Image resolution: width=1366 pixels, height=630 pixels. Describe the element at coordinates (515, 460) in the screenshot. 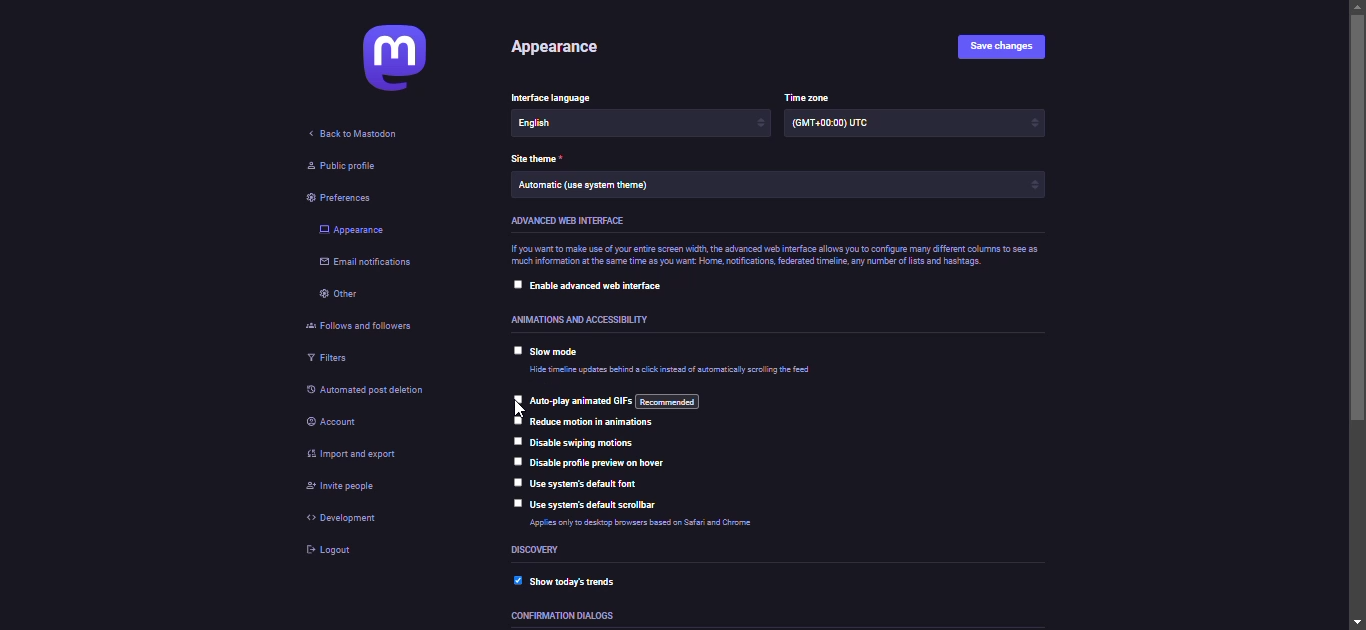

I see `click to select` at that location.